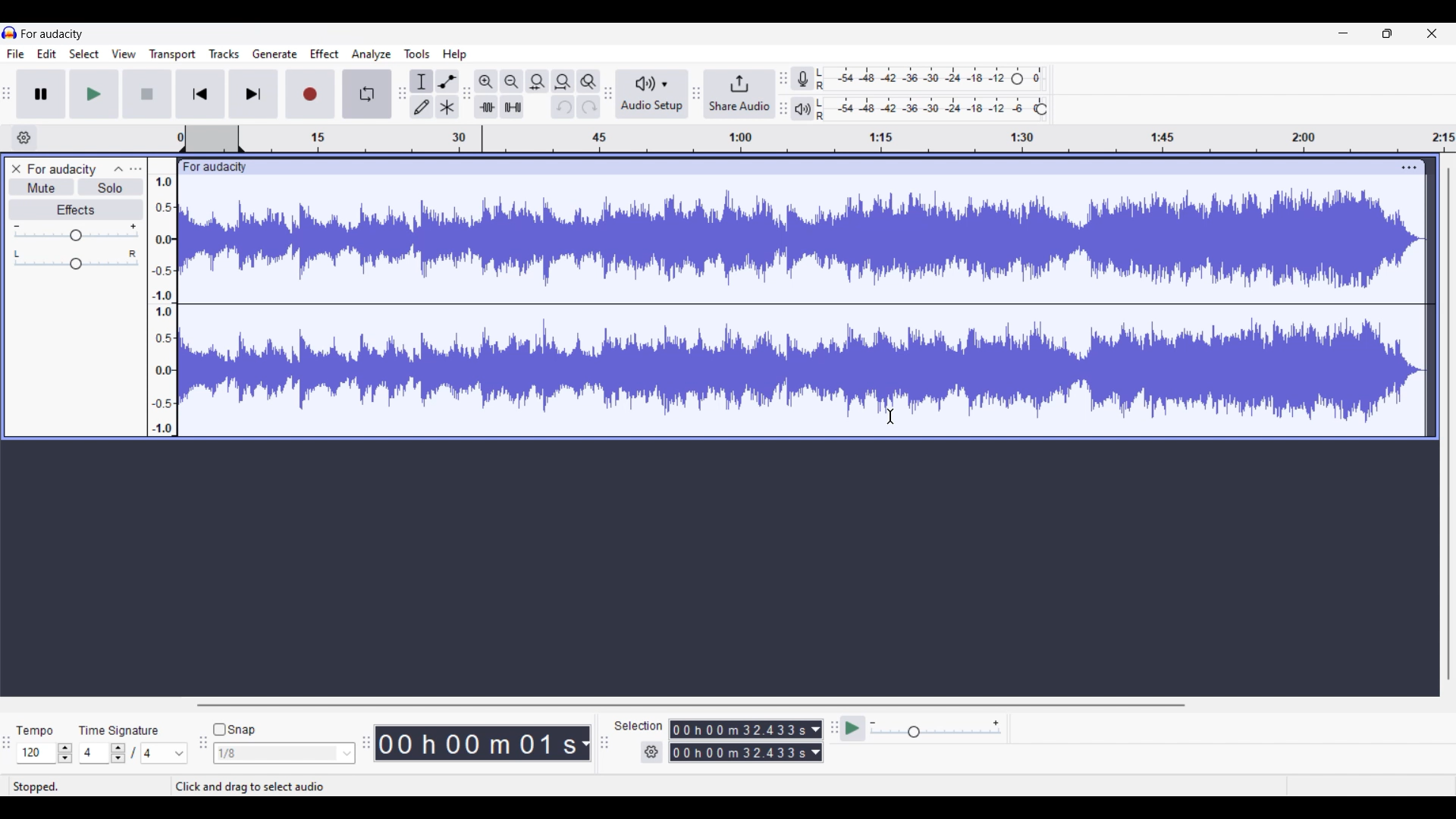  I want to click on Settings, so click(652, 752).